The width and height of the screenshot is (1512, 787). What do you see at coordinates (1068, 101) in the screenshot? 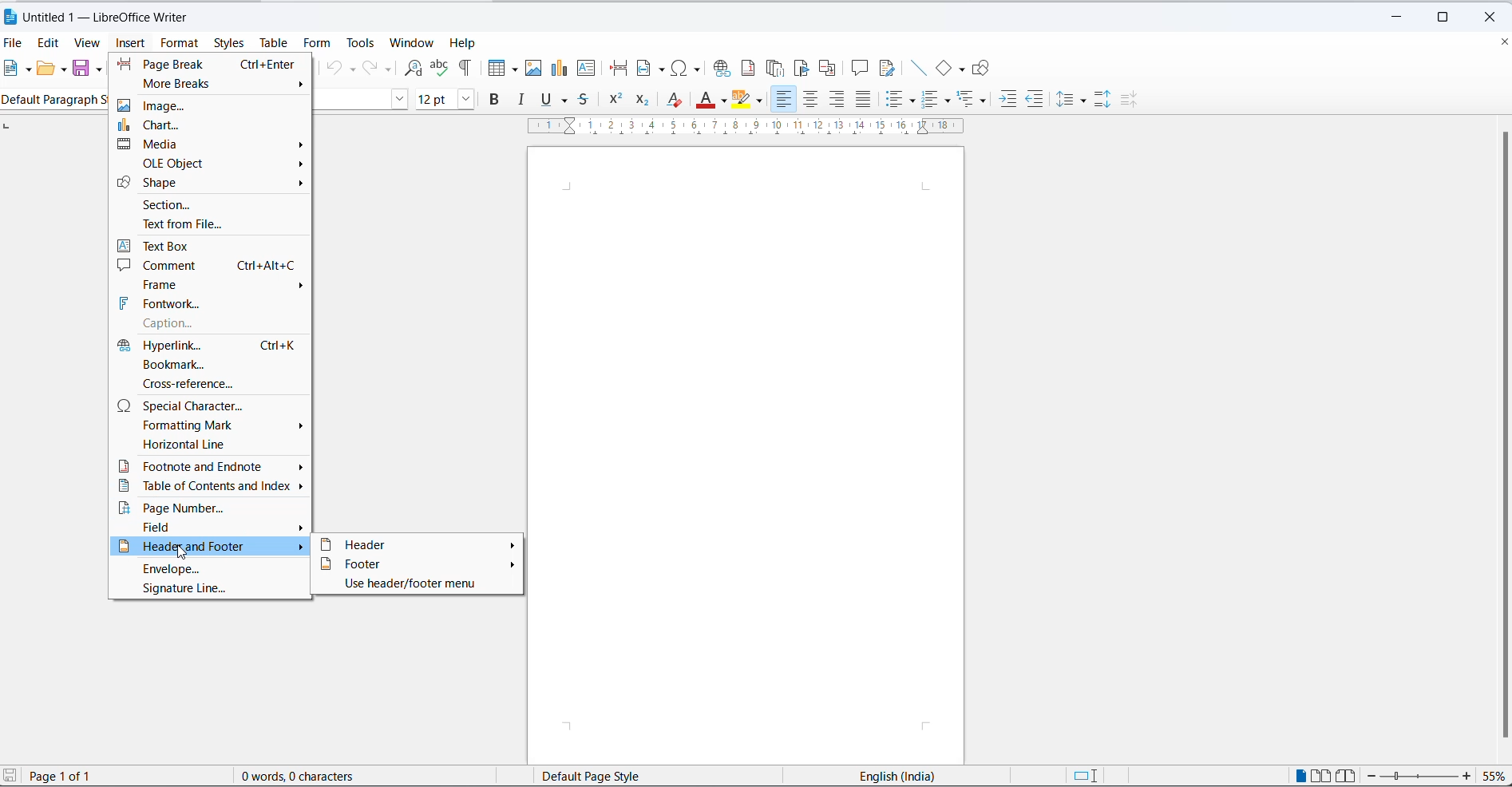
I see `line spacing` at bounding box center [1068, 101].